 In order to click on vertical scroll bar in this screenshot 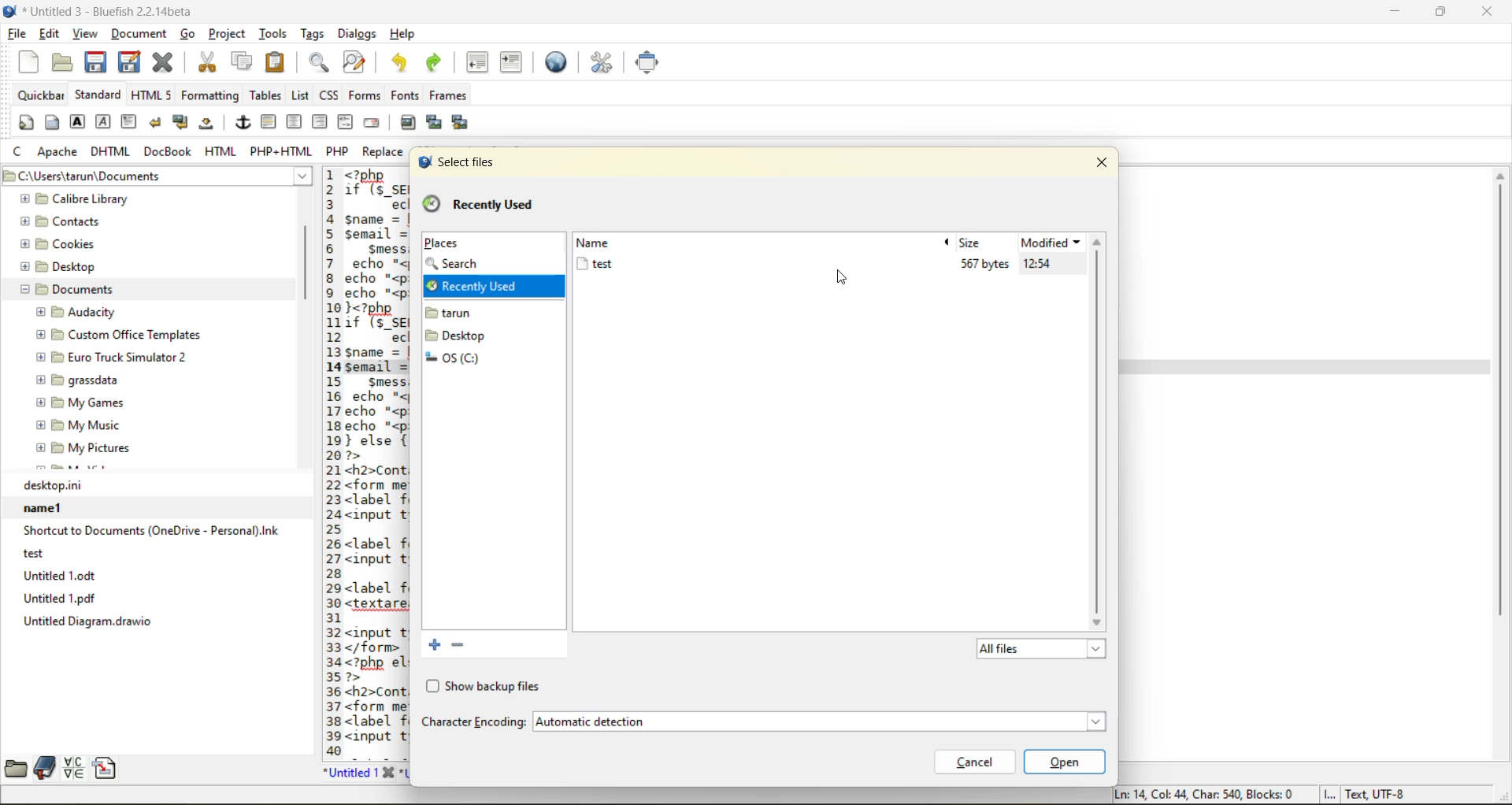, I will do `click(306, 255)`.